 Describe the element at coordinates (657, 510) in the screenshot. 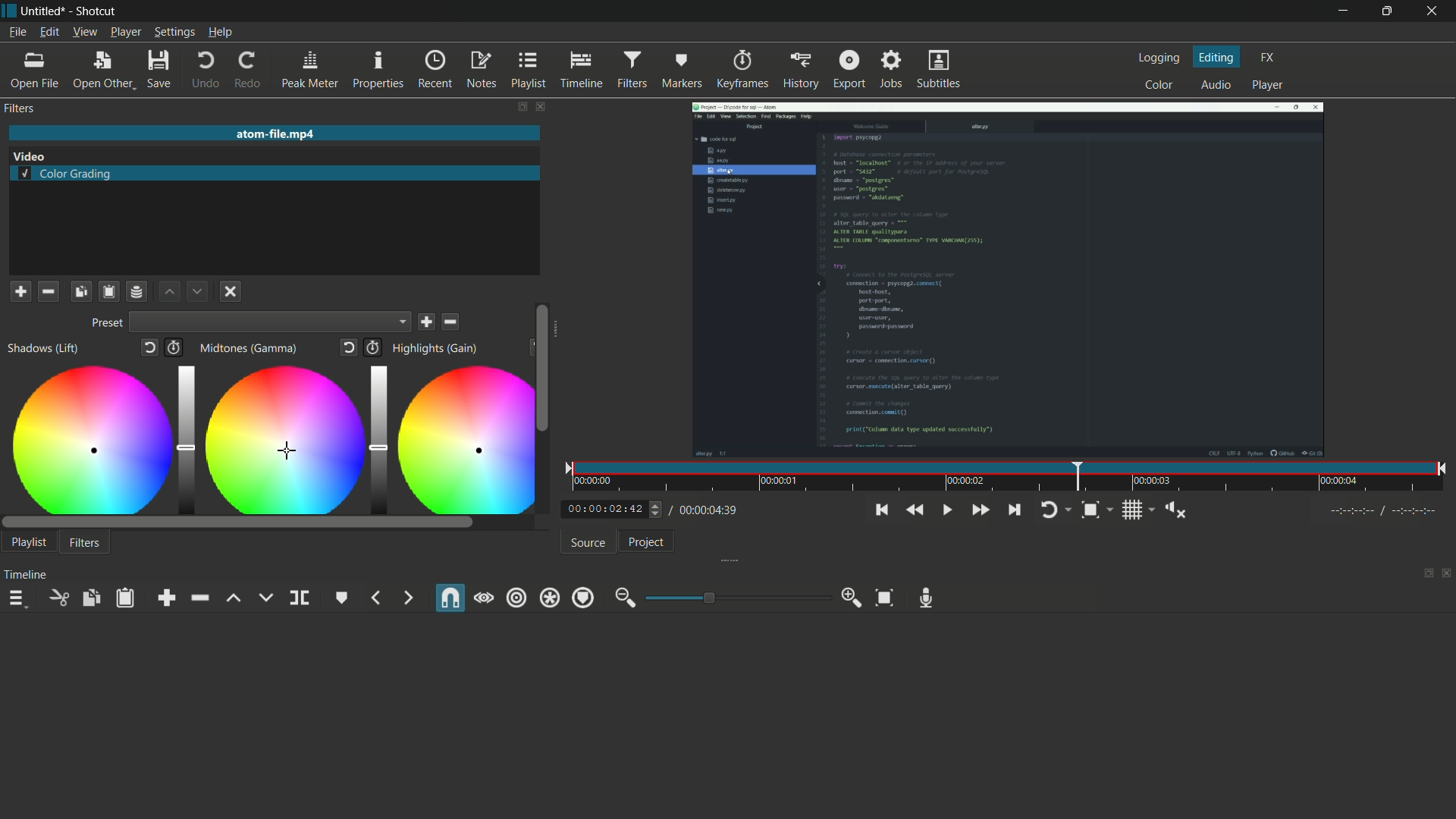

I see `toggle buttons` at that location.